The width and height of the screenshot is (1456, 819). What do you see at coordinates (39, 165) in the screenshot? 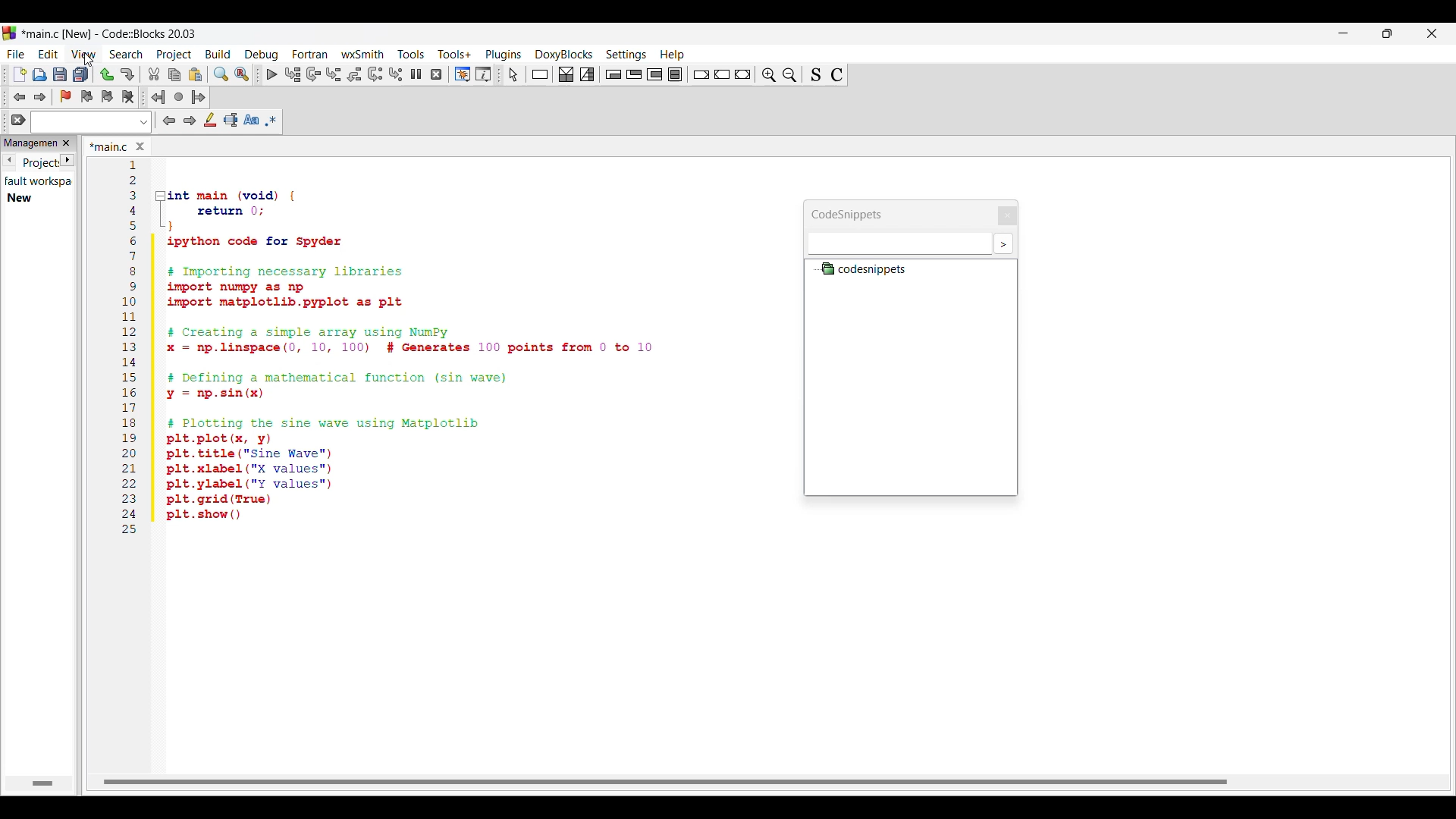
I see `Current tab` at bounding box center [39, 165].